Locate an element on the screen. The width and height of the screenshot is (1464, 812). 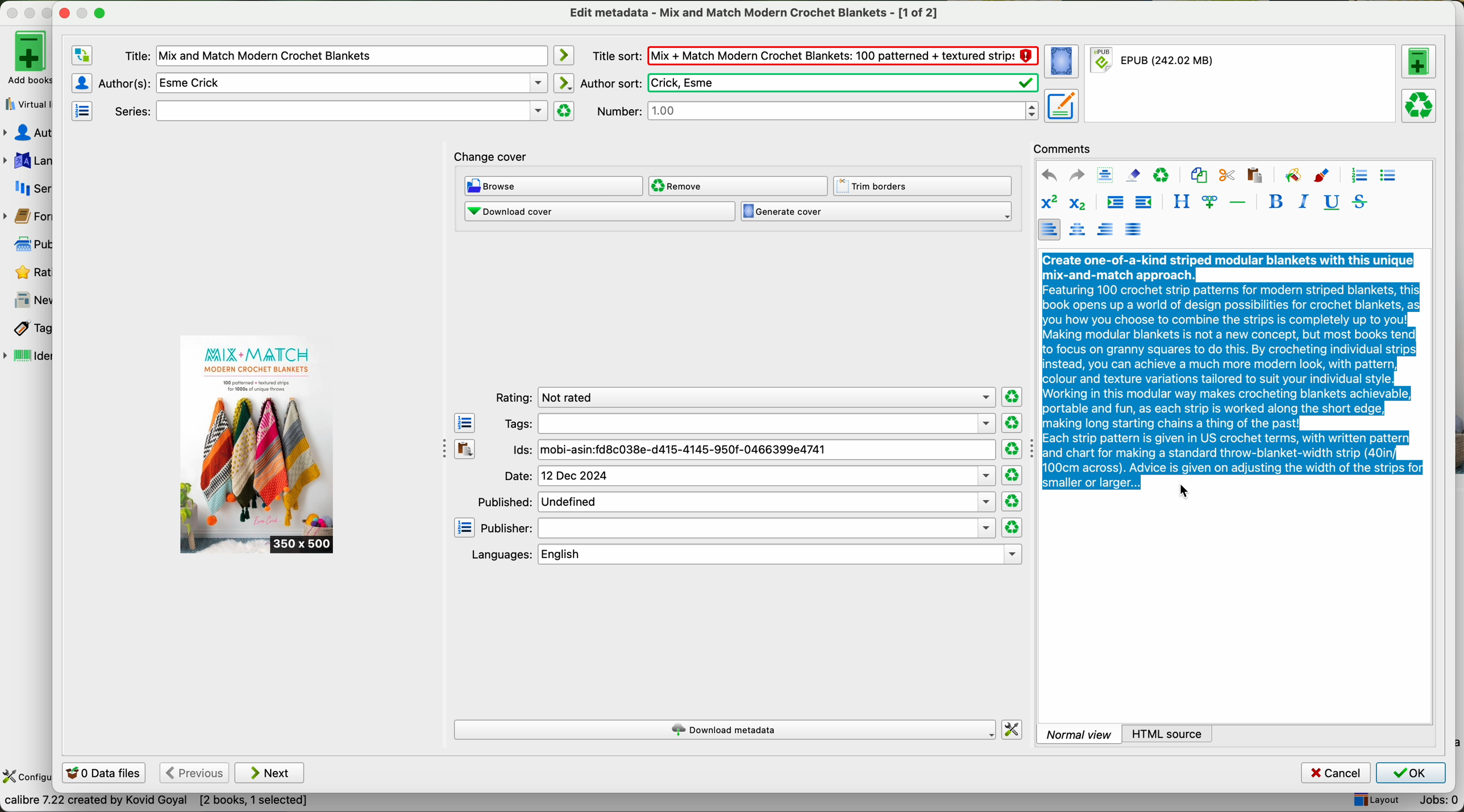
HTML source is located at coordinates (1168, 733).